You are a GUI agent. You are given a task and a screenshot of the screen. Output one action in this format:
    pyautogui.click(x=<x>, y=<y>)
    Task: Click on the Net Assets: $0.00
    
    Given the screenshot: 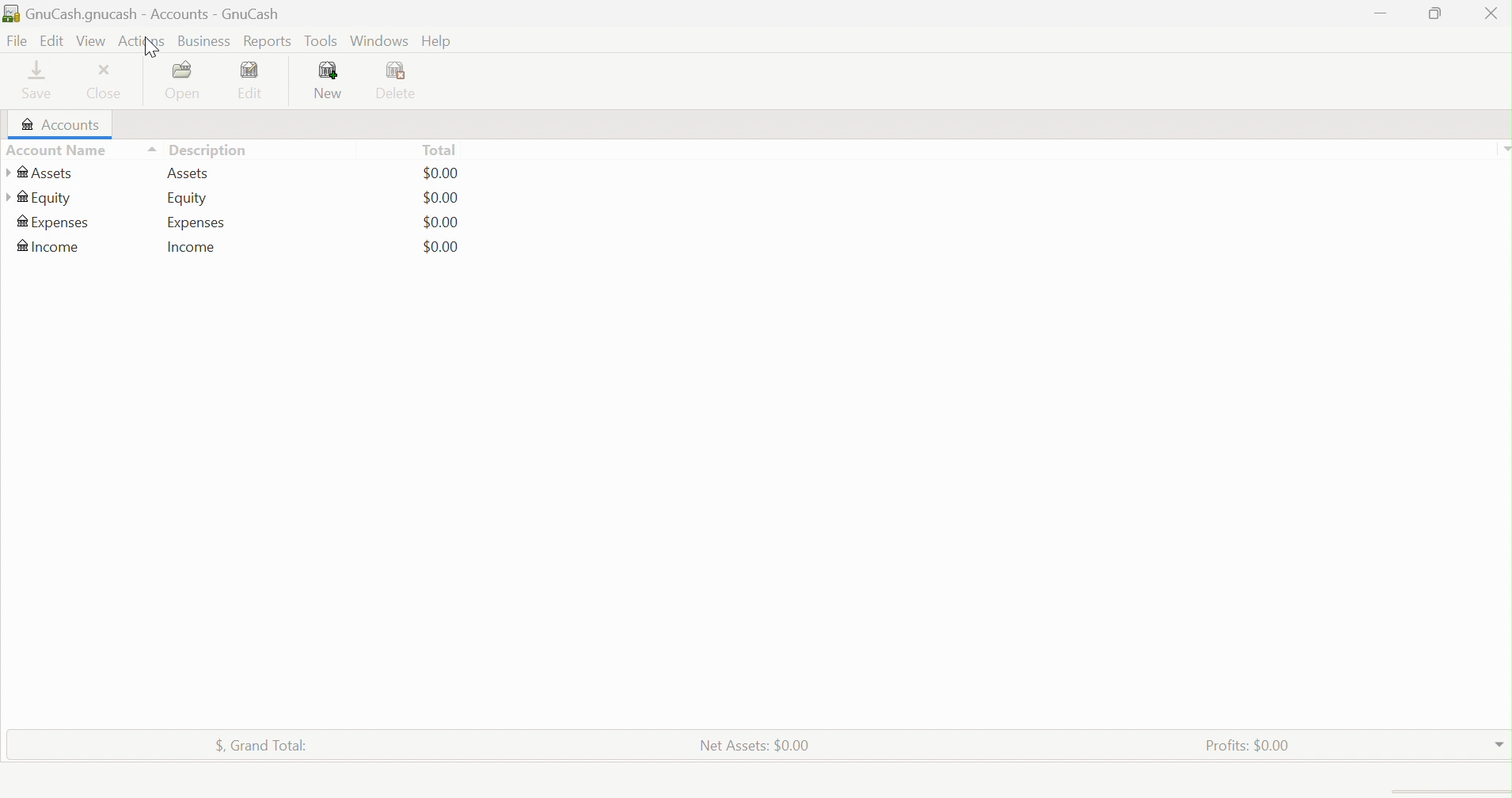 What is the action you would take?
    pyautogui.click(x=754, y=744)
    